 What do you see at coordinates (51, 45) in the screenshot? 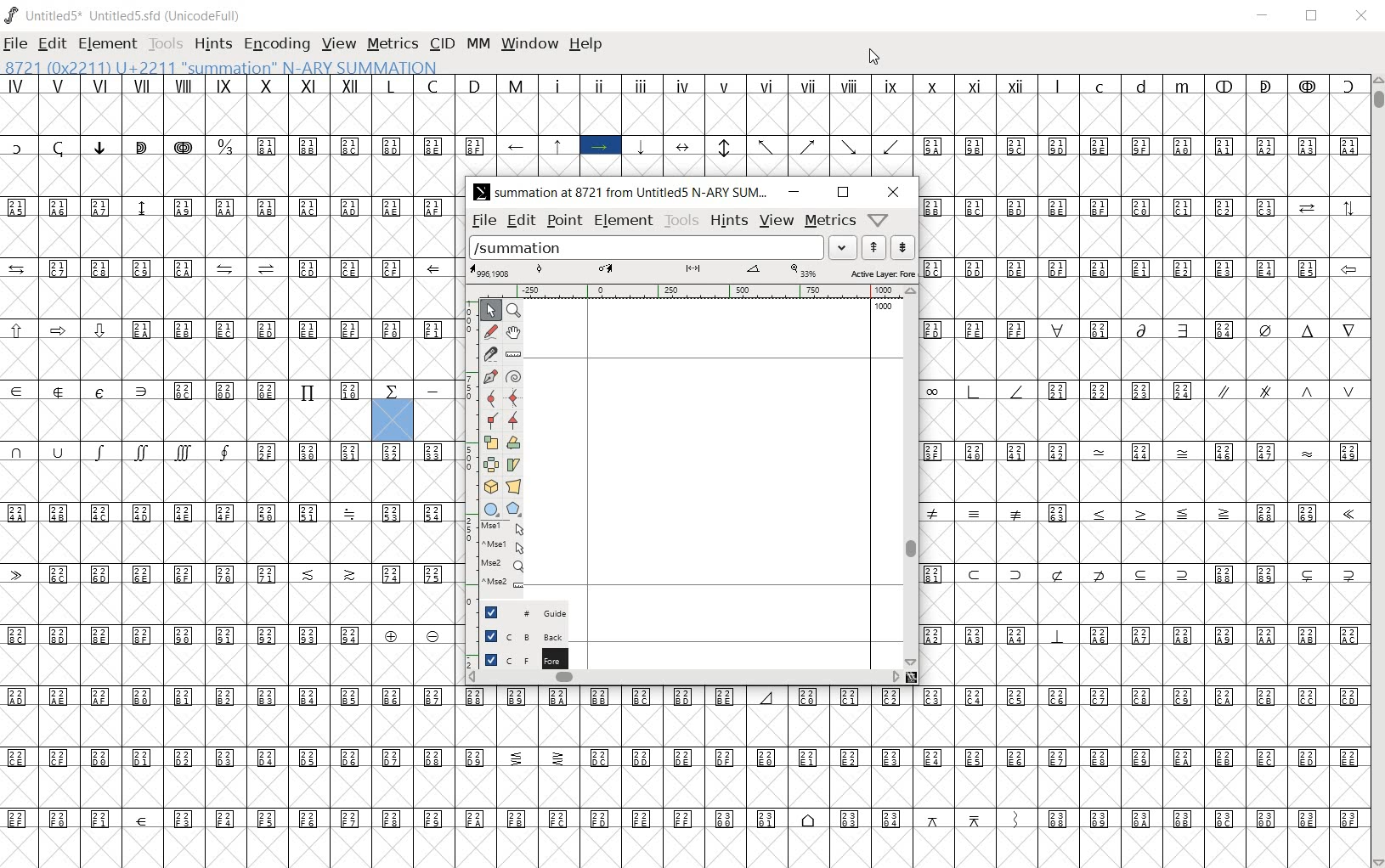
I see `EDIT` at bounding box center [51, 45].